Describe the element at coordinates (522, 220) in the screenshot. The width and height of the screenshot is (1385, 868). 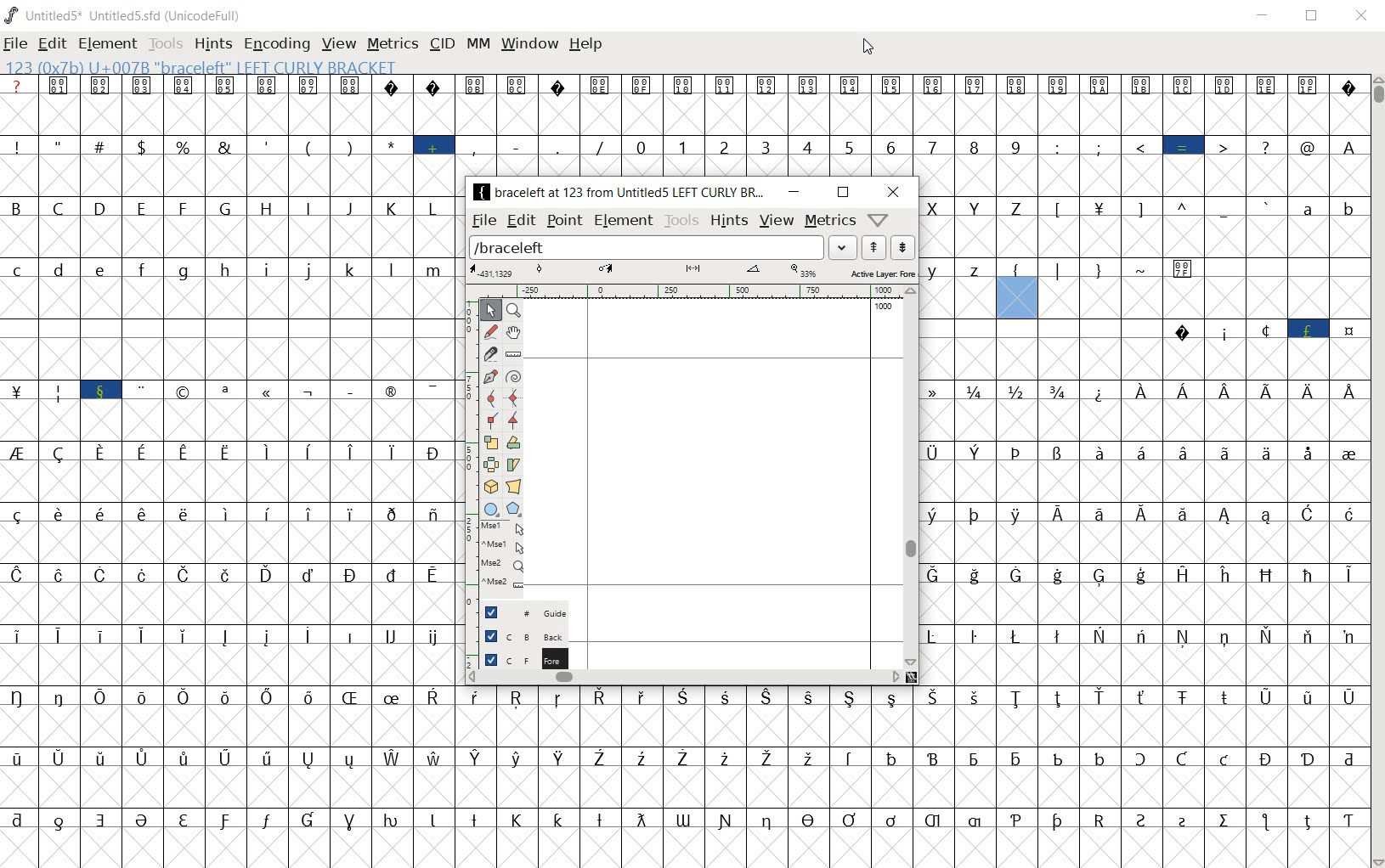
I see `edit` at that location.